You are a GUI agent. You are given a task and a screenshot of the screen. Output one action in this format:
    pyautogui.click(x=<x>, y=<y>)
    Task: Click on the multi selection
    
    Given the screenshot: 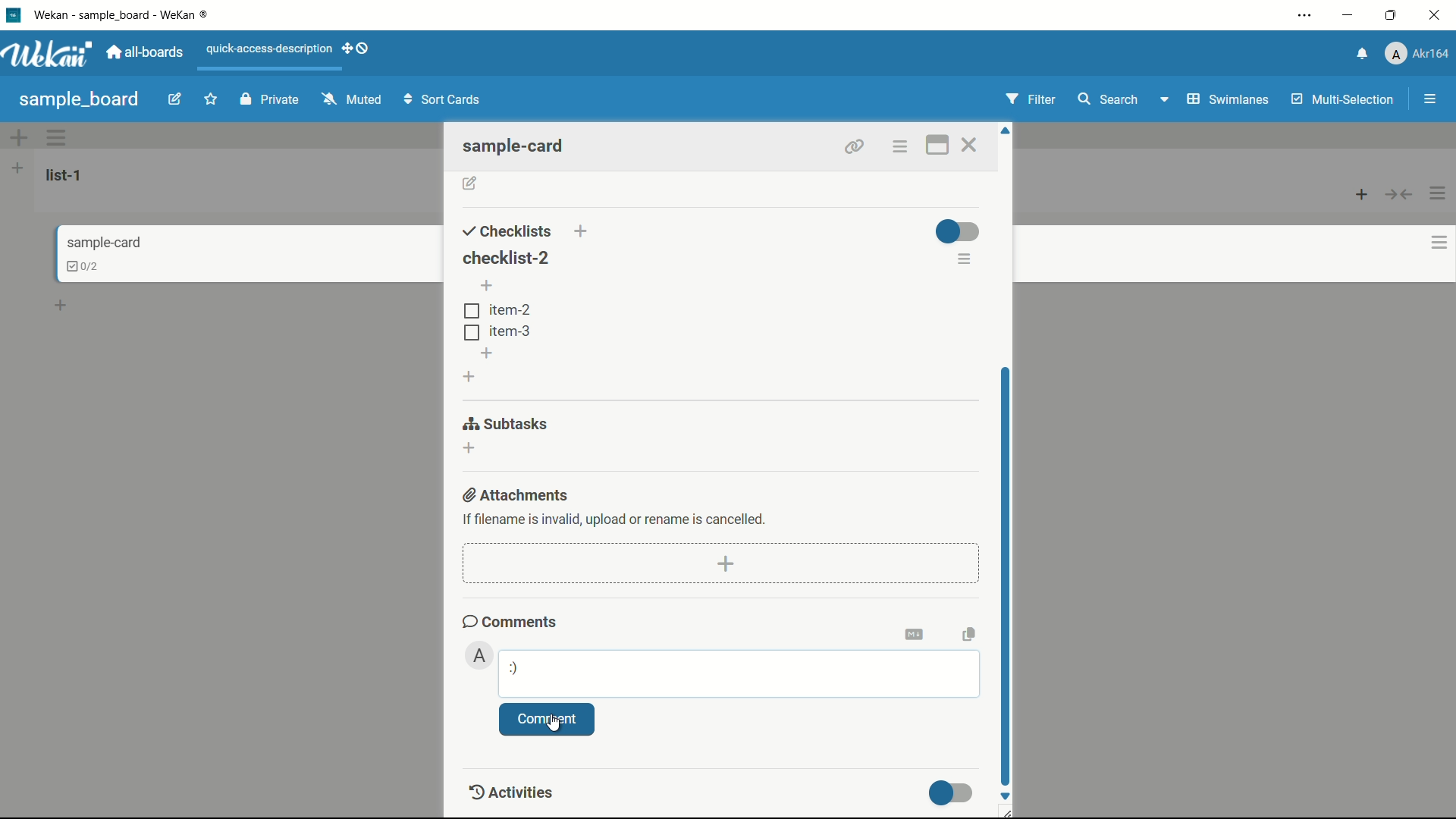 What is the action you would take?
    pyautogui.click(x=1341, y=101)
    